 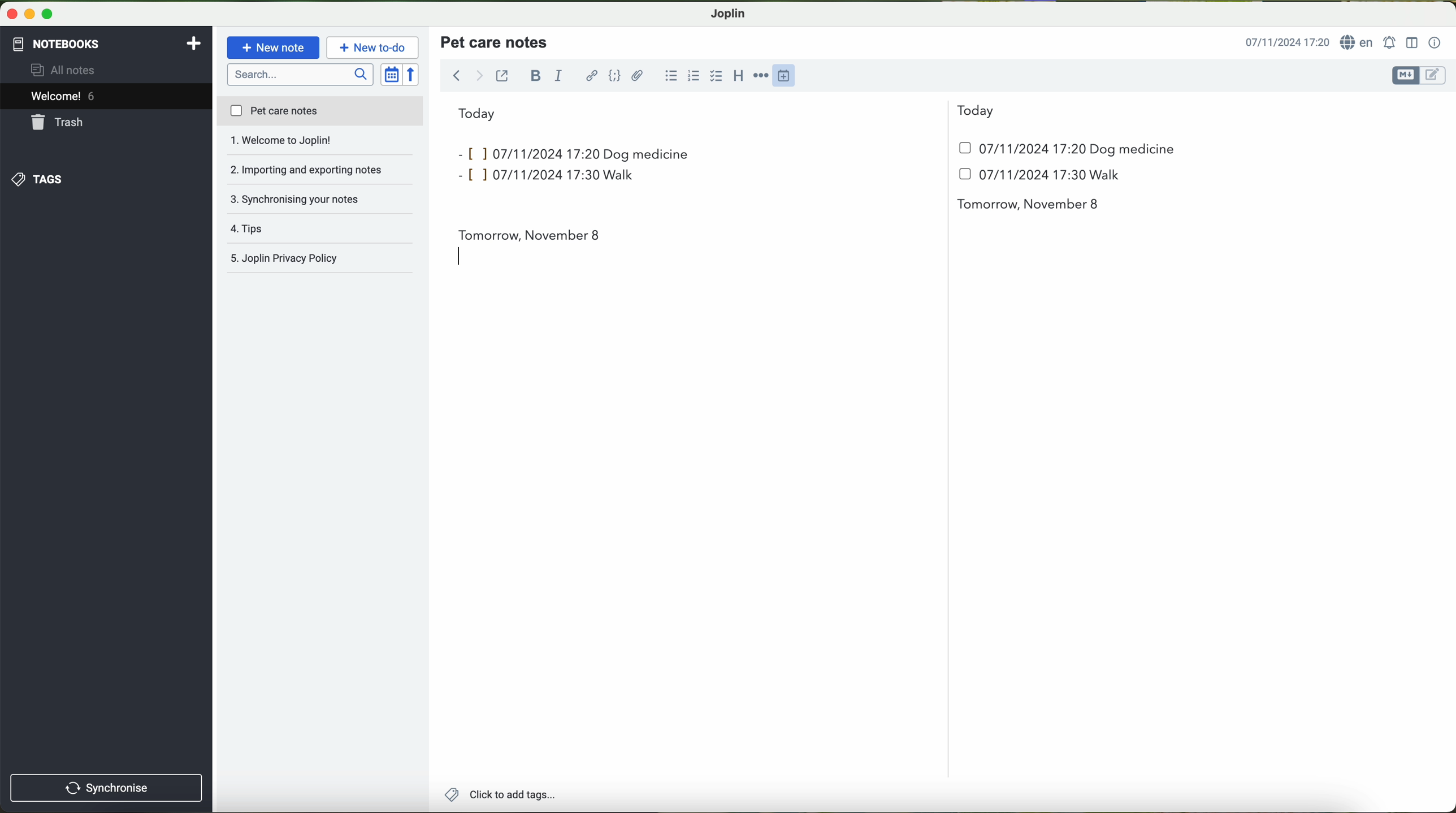 I want to click on Joplin privacy policy, so click(x=321, y=229).